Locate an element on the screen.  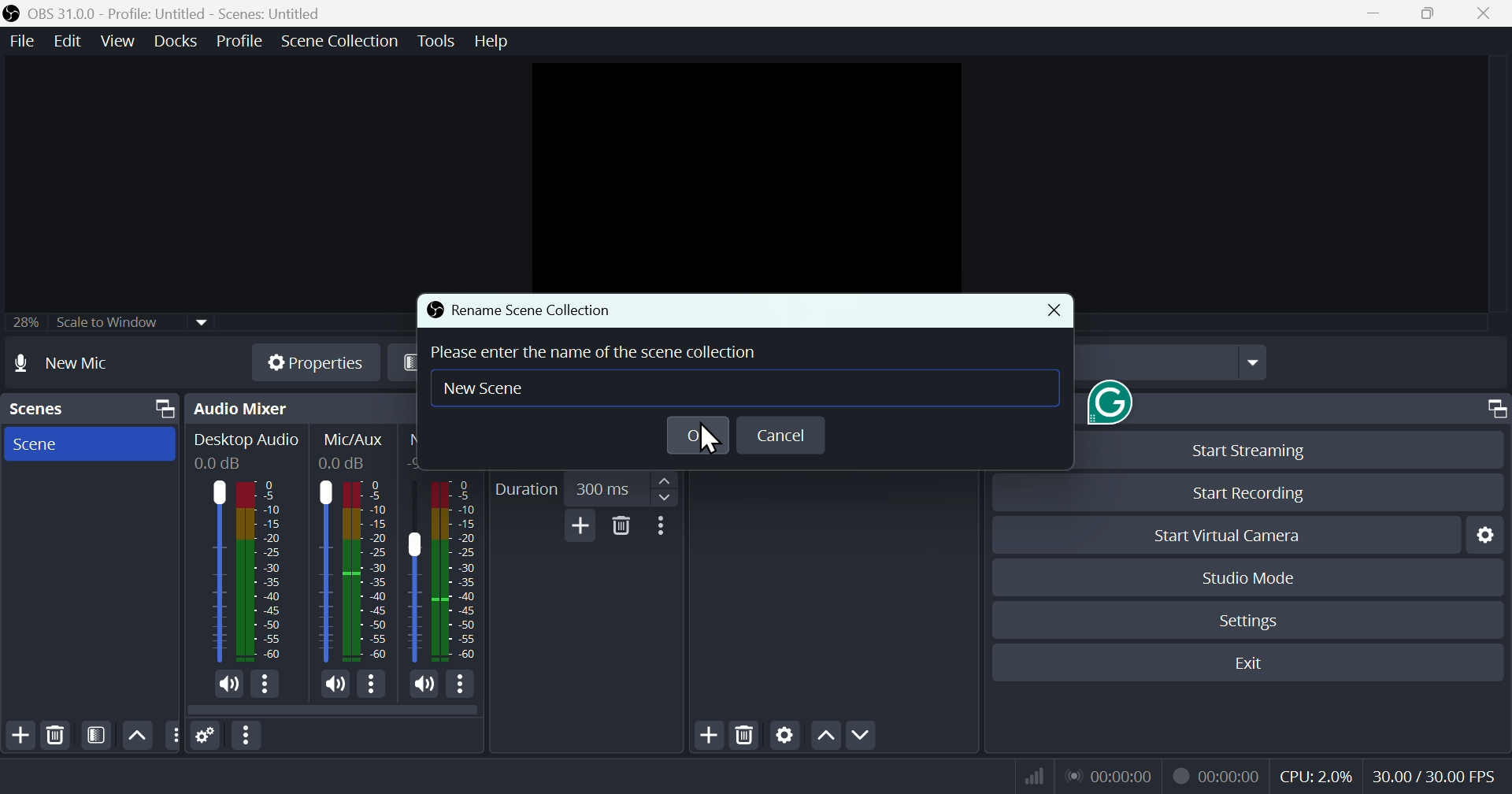
More Options is located at coordinates (373, 684).